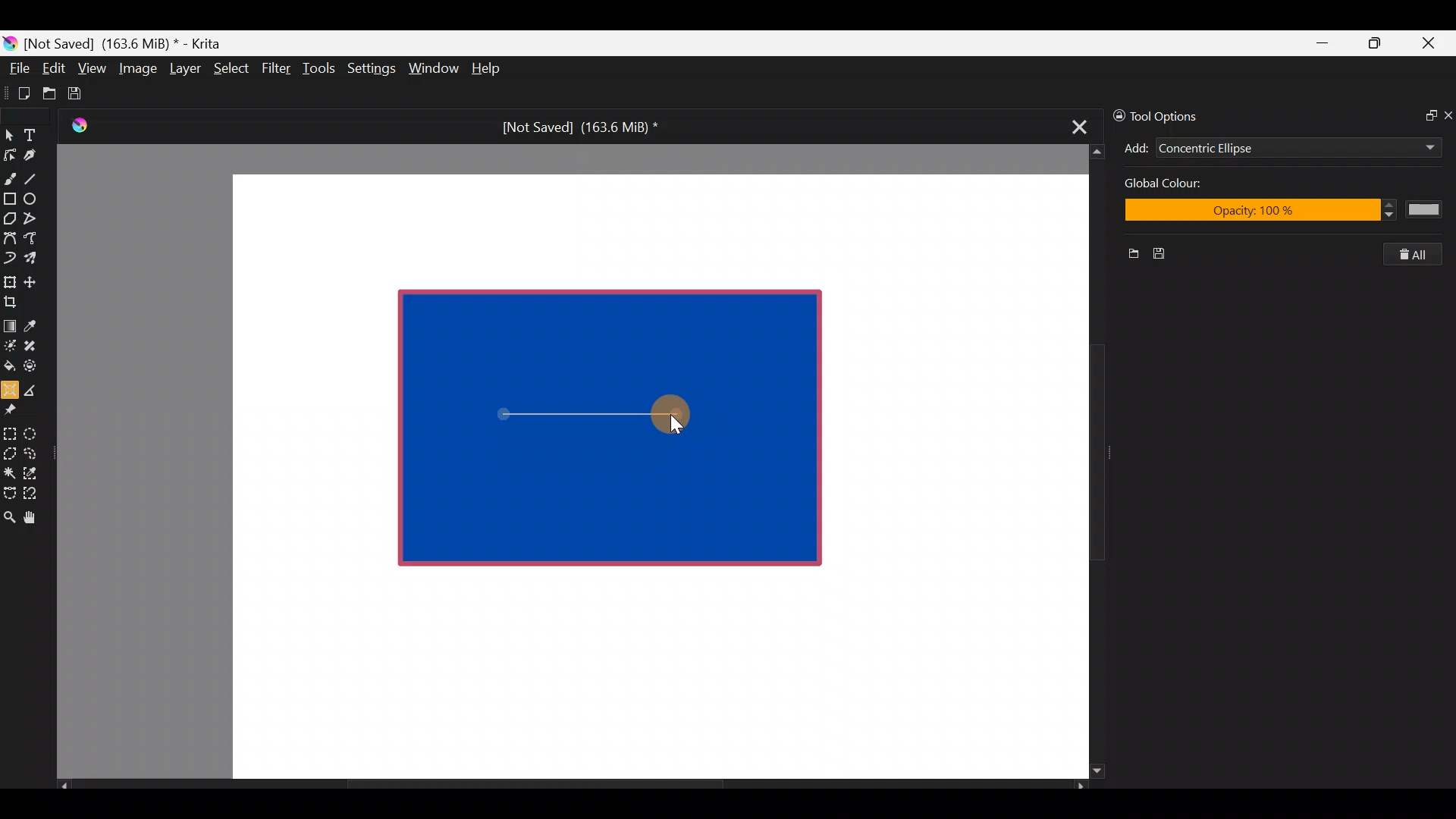 This screenshot has width=1456, height=819. What do you see at coordinates (1075, 124) in the screenshot?
I see `Close tab` at bounding box center [1075, 124].